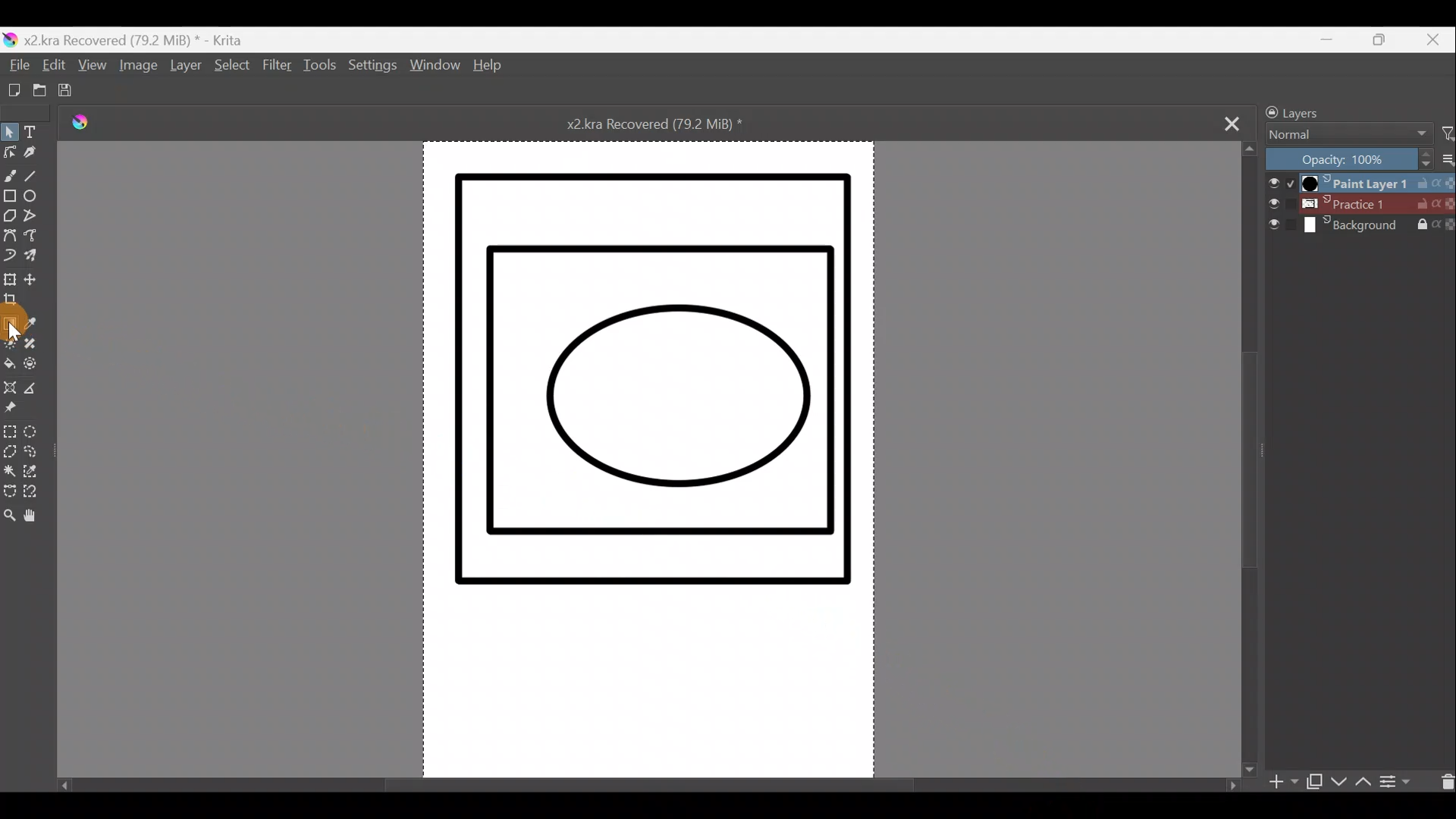 Image resolution: width=1456 pixels, height=819 pixels. I want to click on Elliptical selection tool, so click(35, 434).